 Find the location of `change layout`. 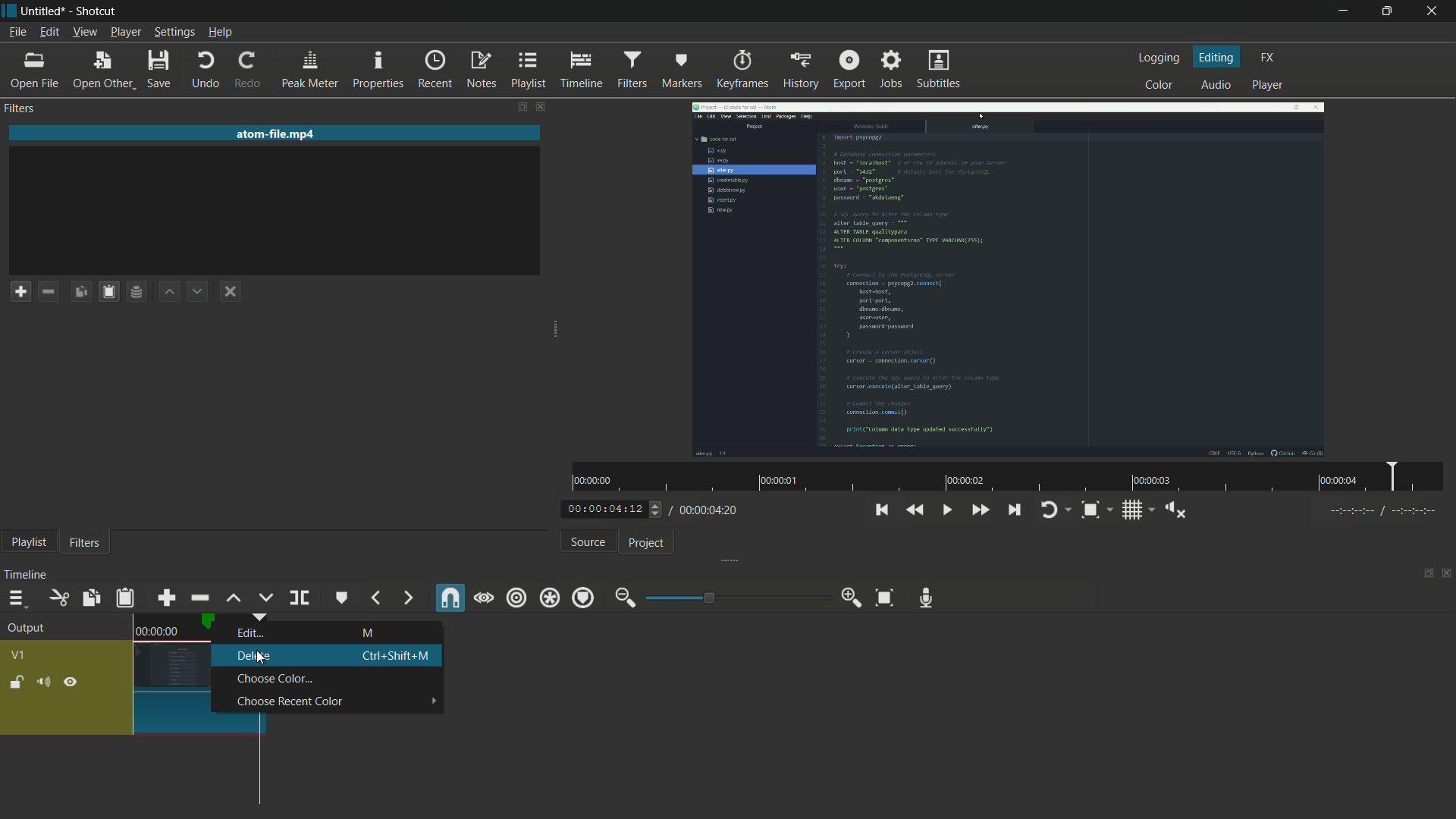

change layout is located at coordinates (1423, 574).